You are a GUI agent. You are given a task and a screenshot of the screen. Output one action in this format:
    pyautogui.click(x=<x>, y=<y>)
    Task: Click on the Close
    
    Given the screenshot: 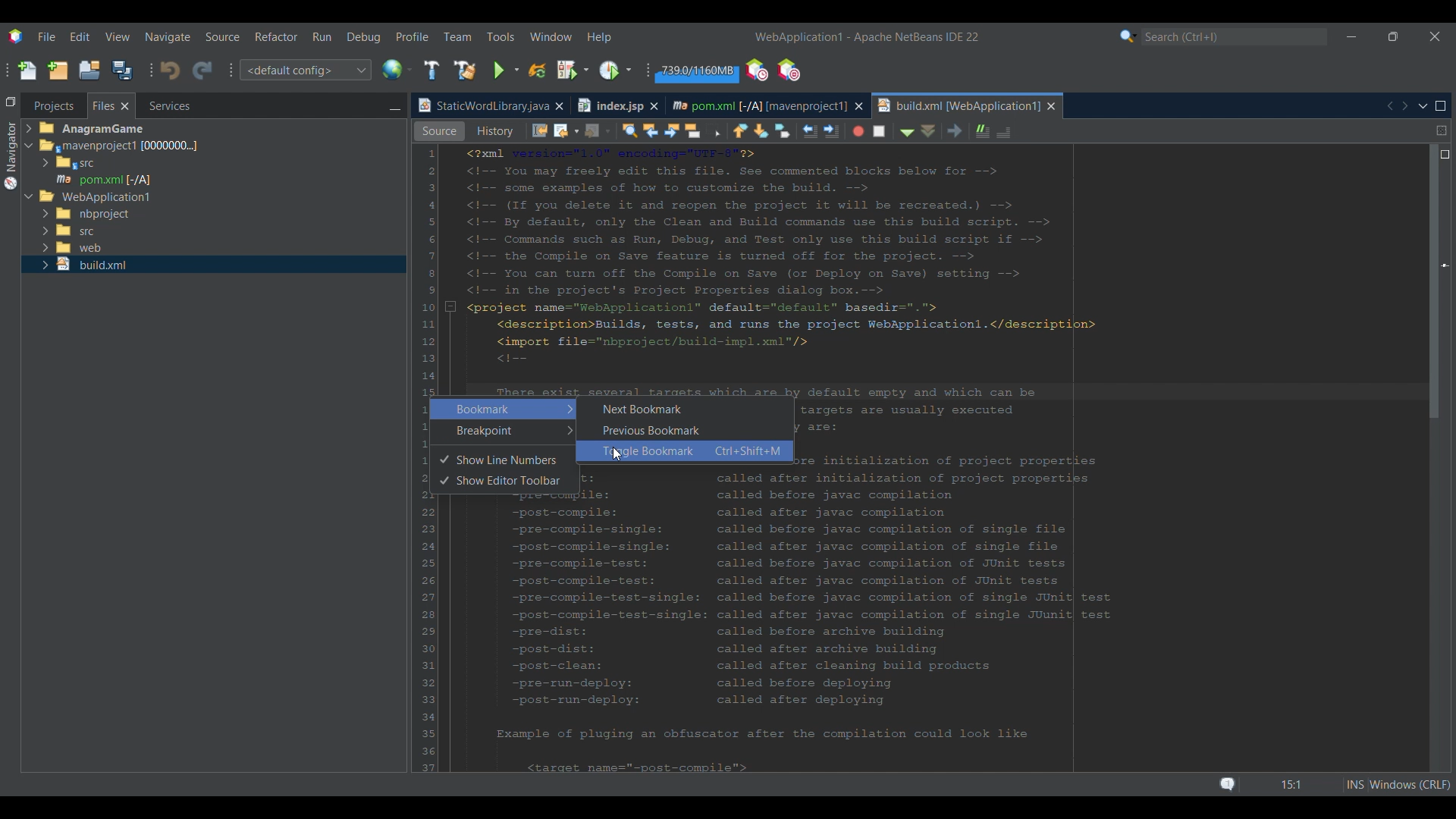 What is the action you would take?
    pyautogui.click(x=1052, y=106)
    